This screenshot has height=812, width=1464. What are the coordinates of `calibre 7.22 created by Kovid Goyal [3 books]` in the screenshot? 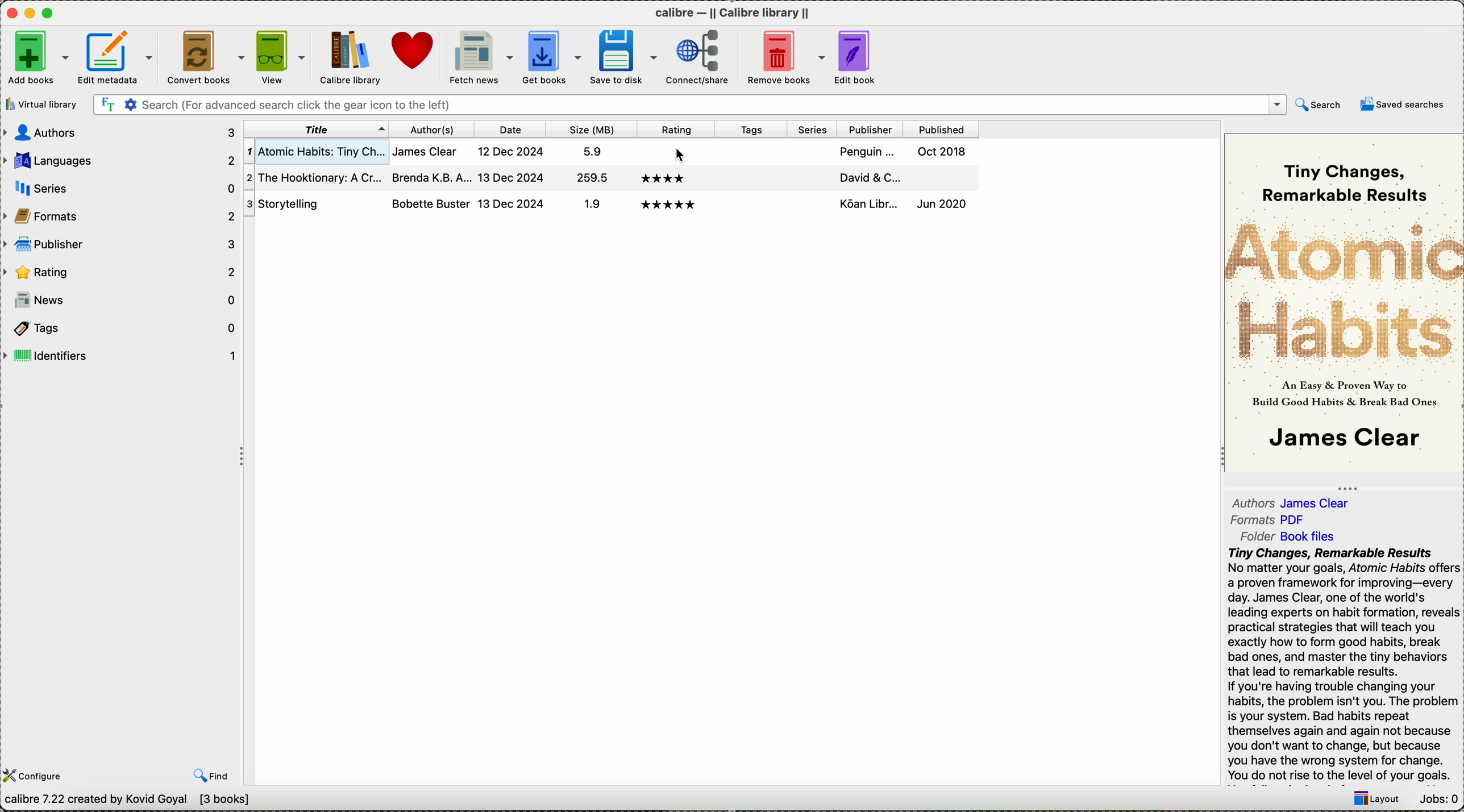 It's located at (126, 801).